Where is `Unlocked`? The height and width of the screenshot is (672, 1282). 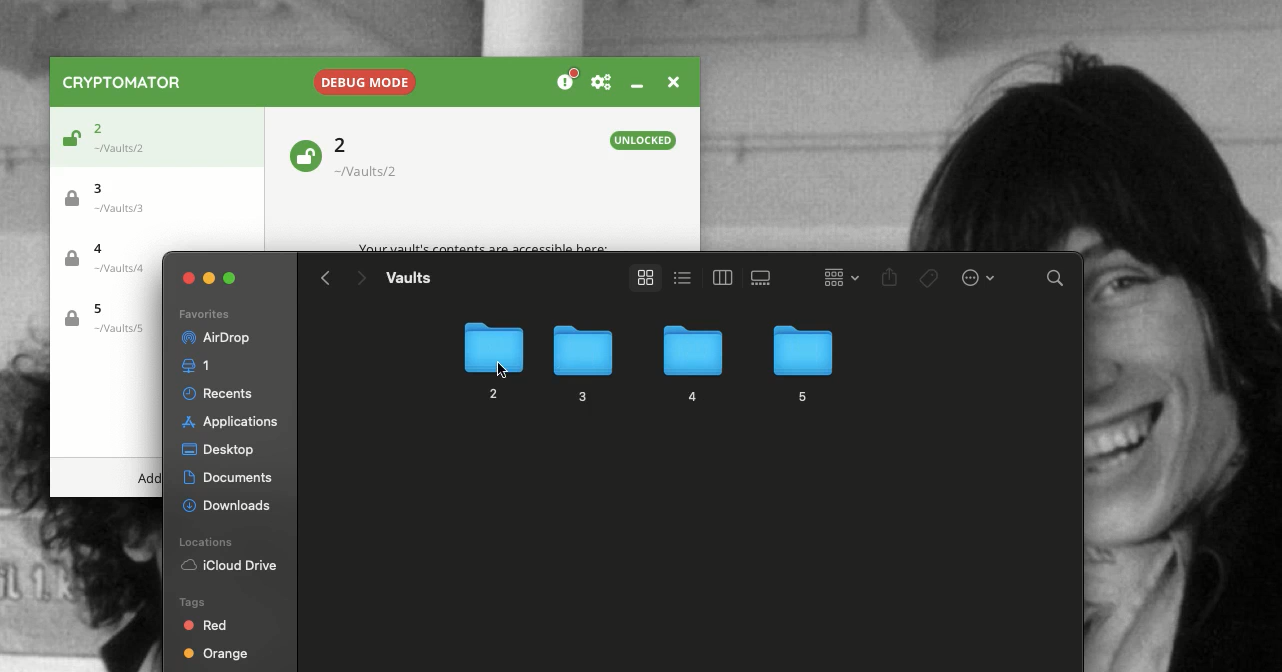
Unlocked is located at coordinates (304, 154).